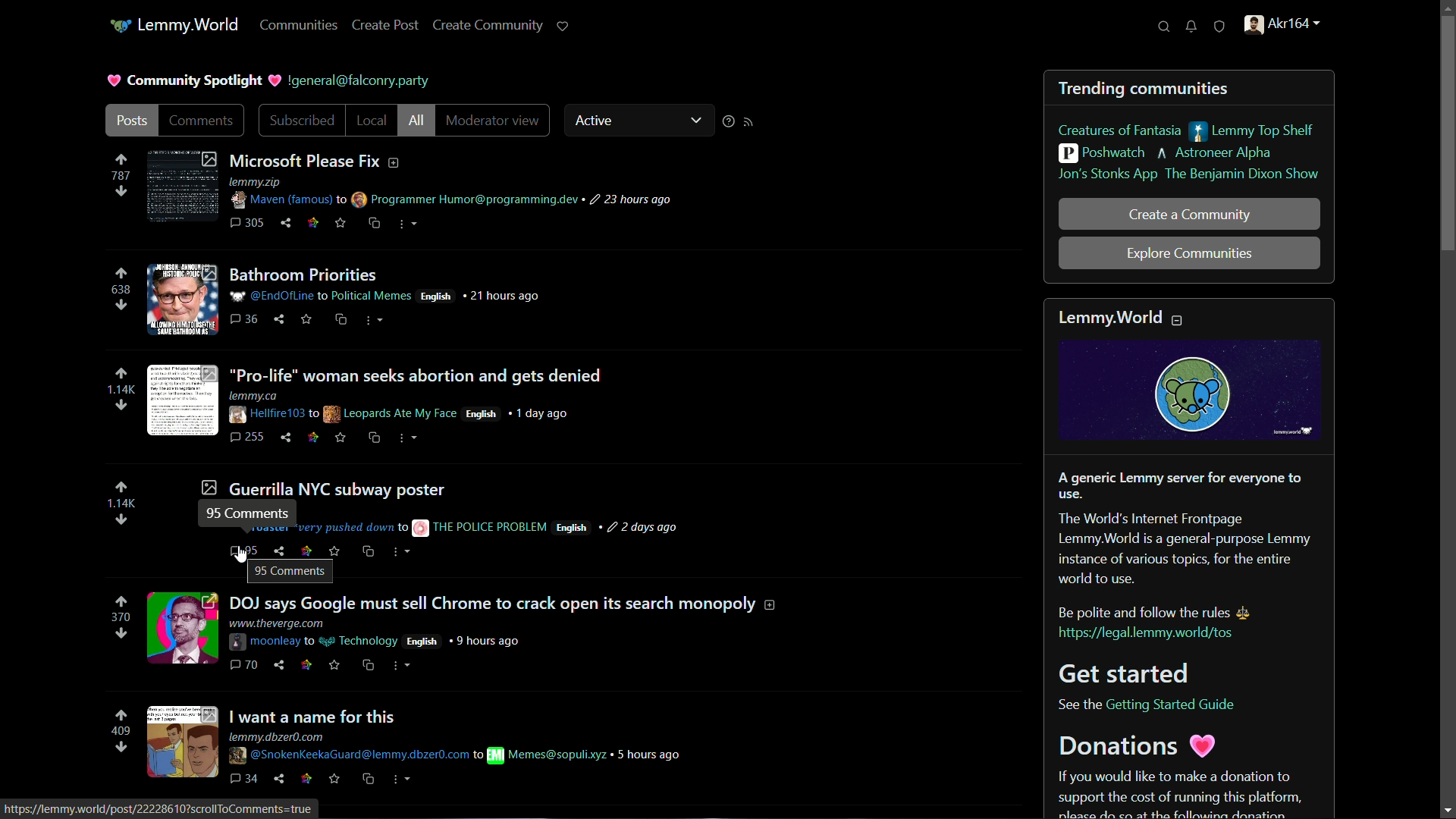 This screenshot has height=819, width=1456. Describe the element at coordinates (1257, 132) in the screenshot. I see `lemmy top shelf` at that location.